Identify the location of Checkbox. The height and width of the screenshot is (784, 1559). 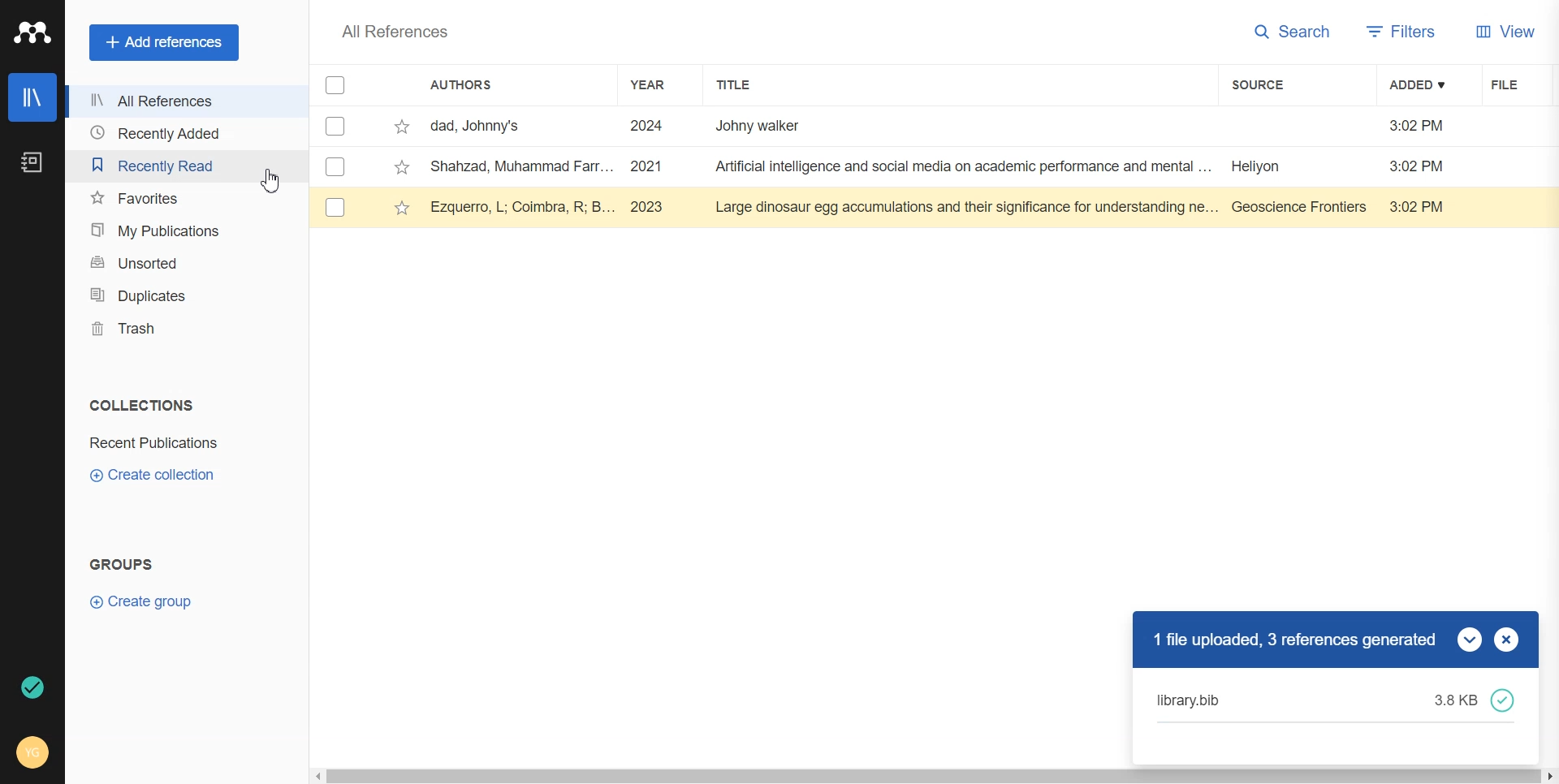
(333, 127).